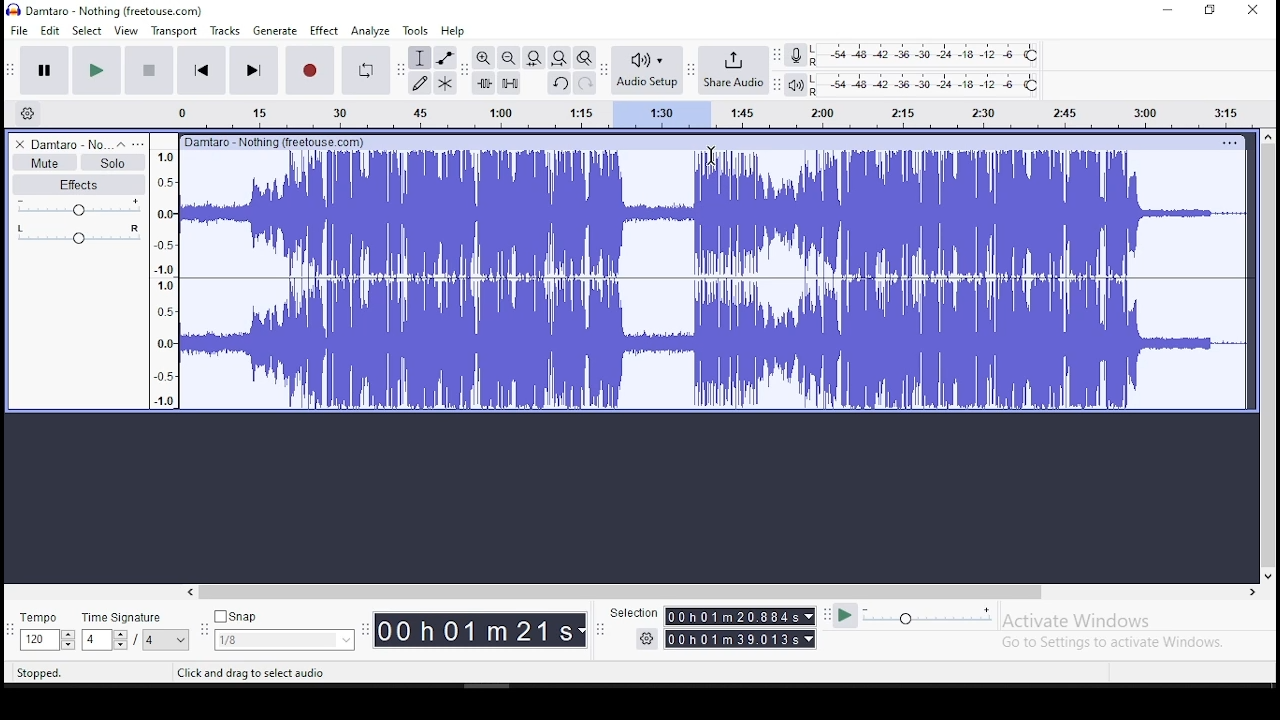 The width and height of the screenshot is (1280, 720). I want to click on playback level, so click(926, 85).